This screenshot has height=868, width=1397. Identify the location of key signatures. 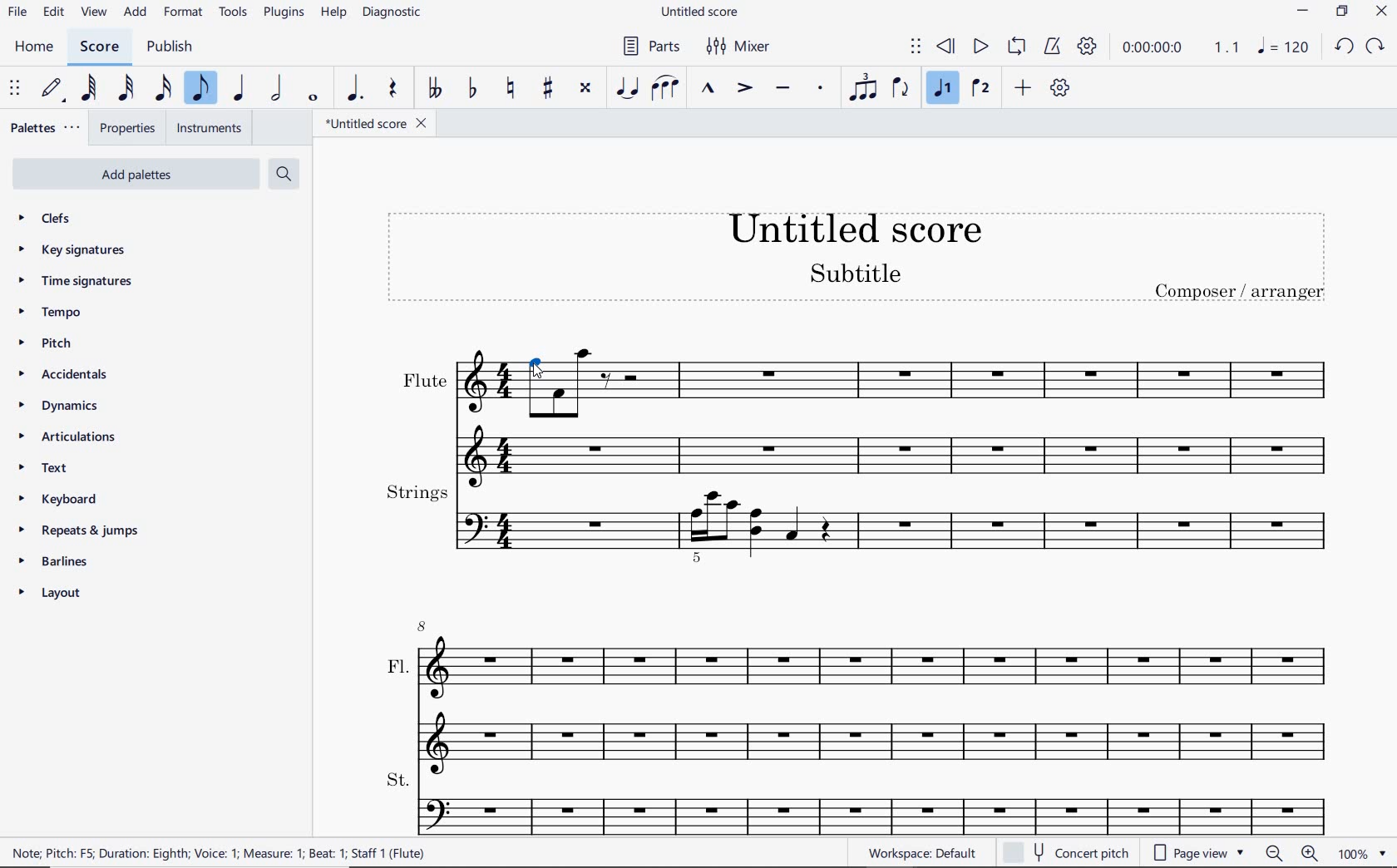
(76, 253).